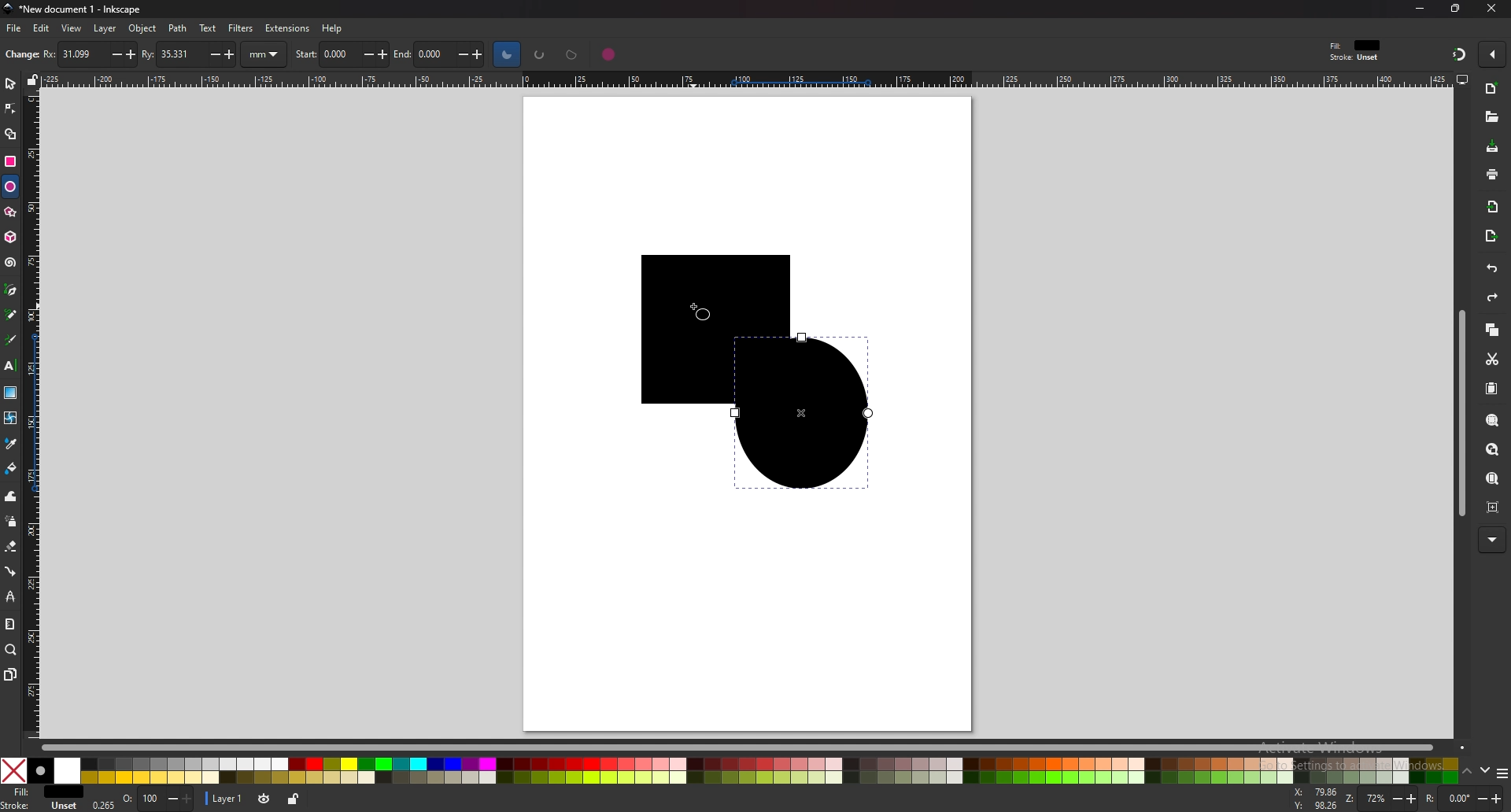 This screenshot has height=812, width=1511. What do you see at coordinates (1491, 235) in the screenshot?
I see `export` at bounding box center [1491, 235].